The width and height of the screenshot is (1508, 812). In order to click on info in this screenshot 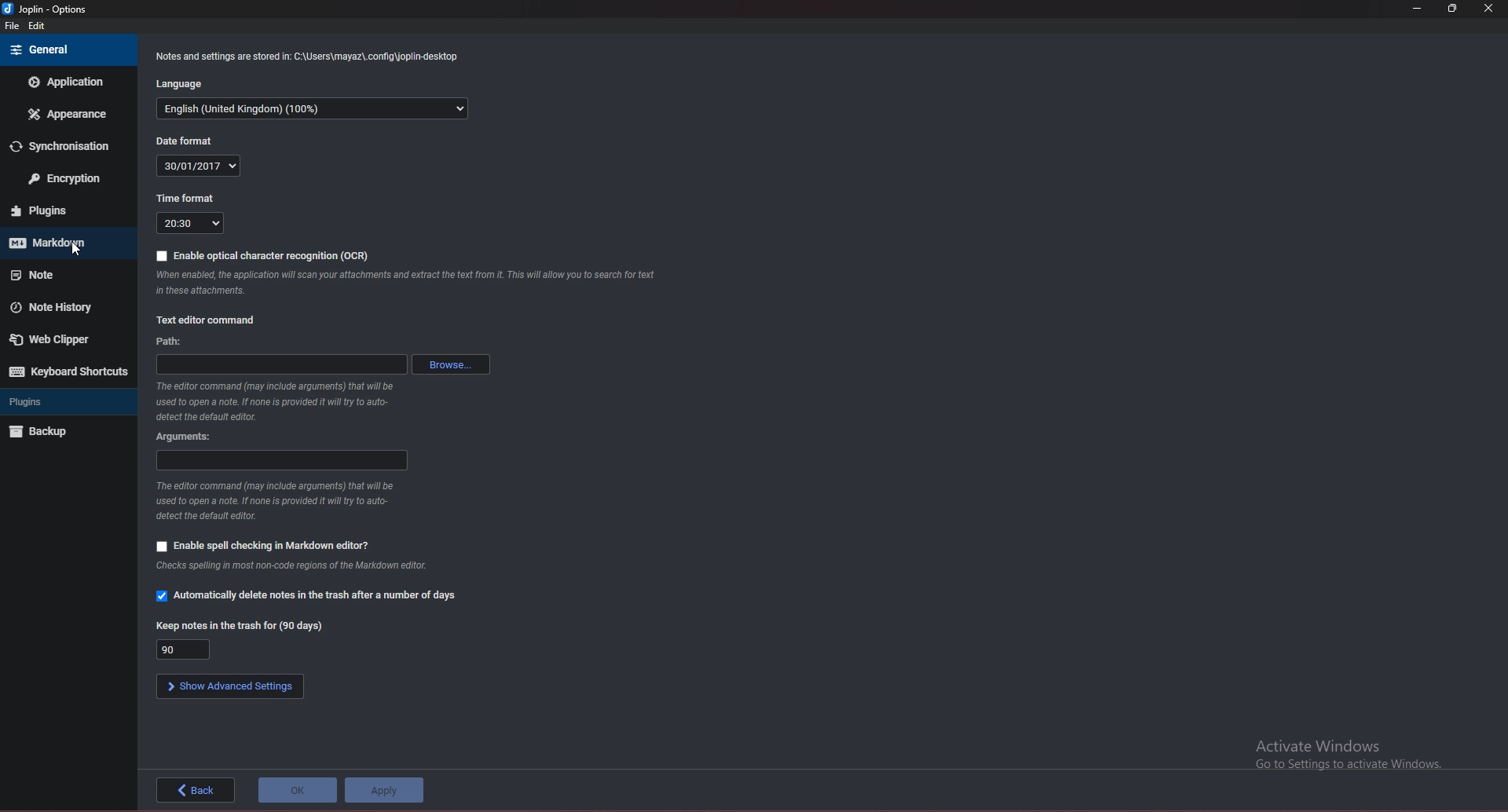, I will do `click(408, 283)`.